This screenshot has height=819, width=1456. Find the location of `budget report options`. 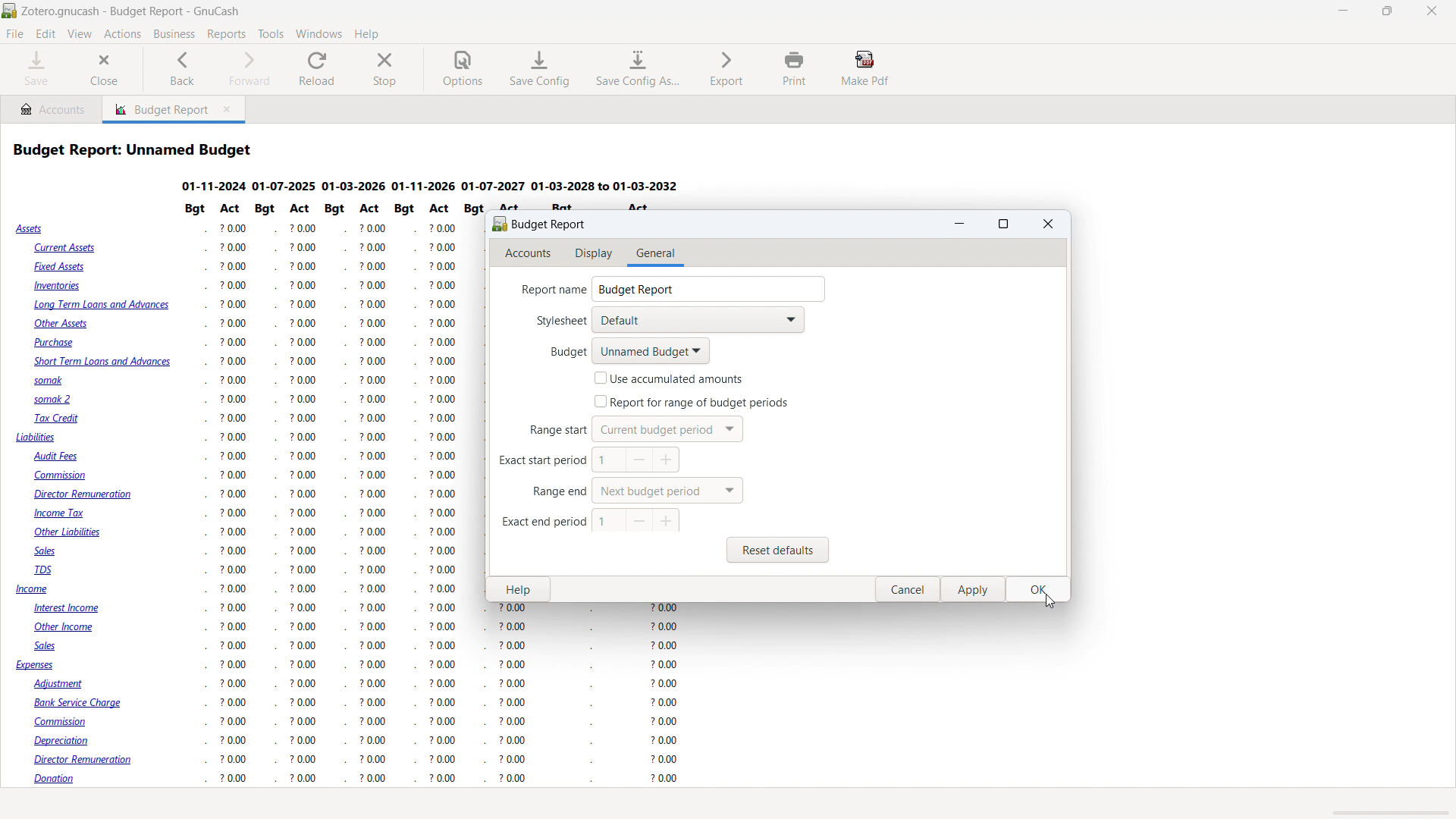

budget report options is located at coordinates (539, 223).